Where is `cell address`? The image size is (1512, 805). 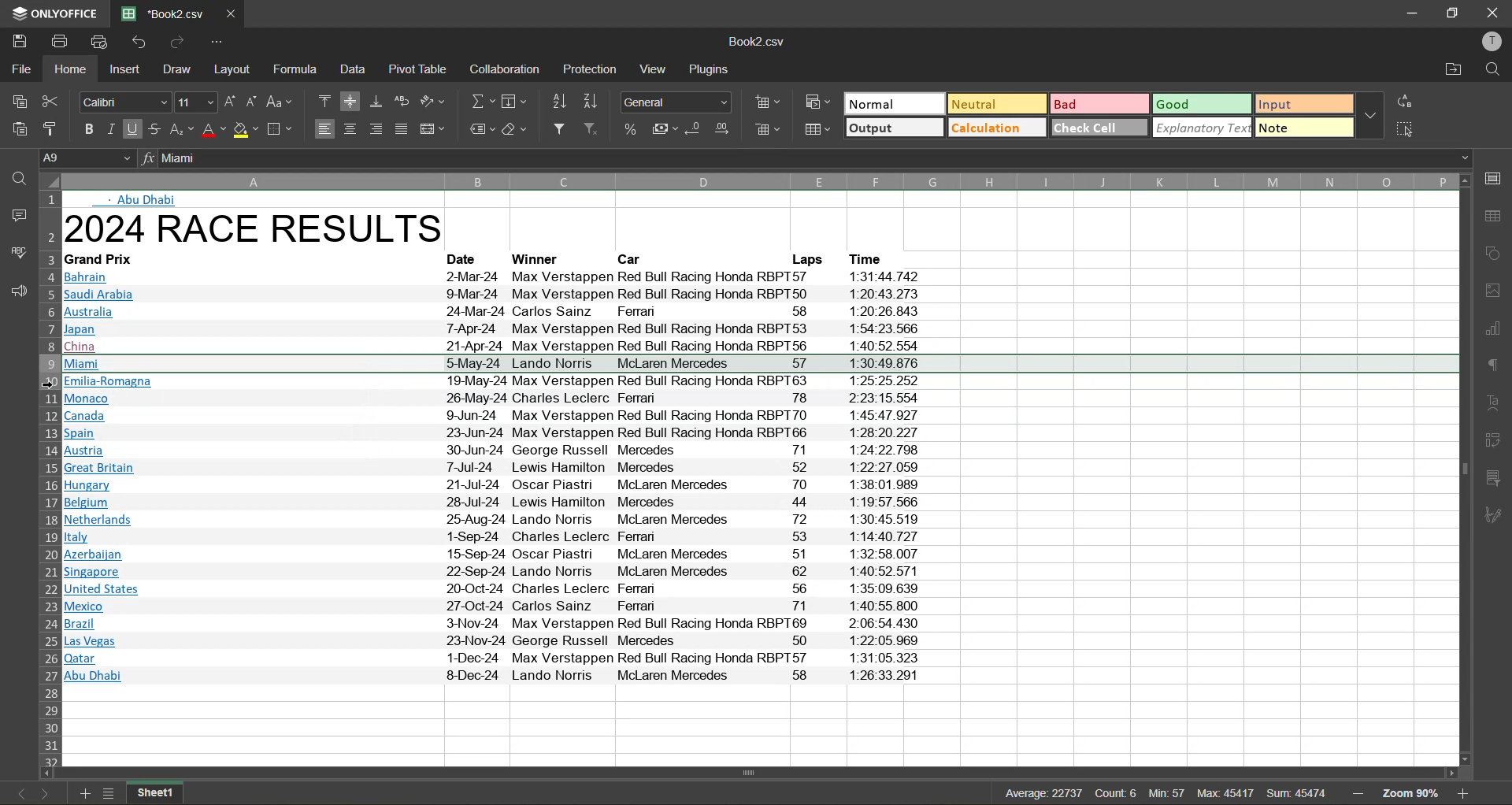
cell address is located at coordinates (84, 158).